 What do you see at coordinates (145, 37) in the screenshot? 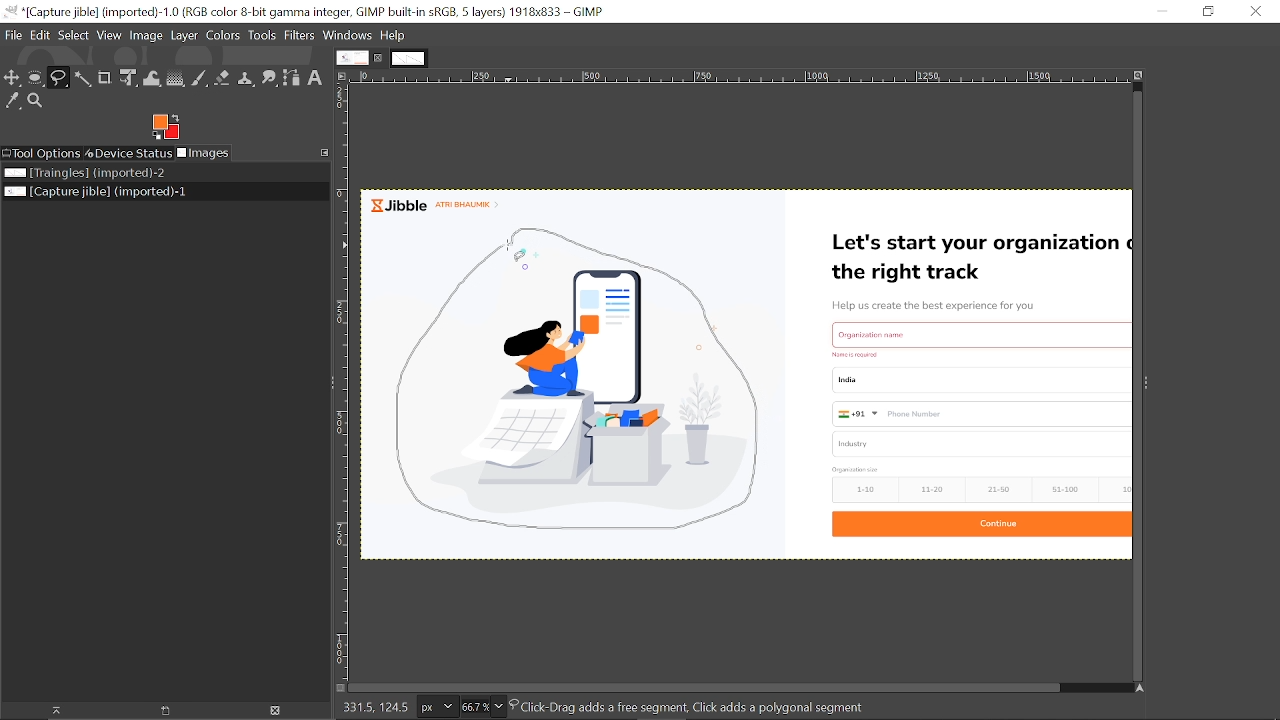
I see `Image` at bounding box center [145, 37].